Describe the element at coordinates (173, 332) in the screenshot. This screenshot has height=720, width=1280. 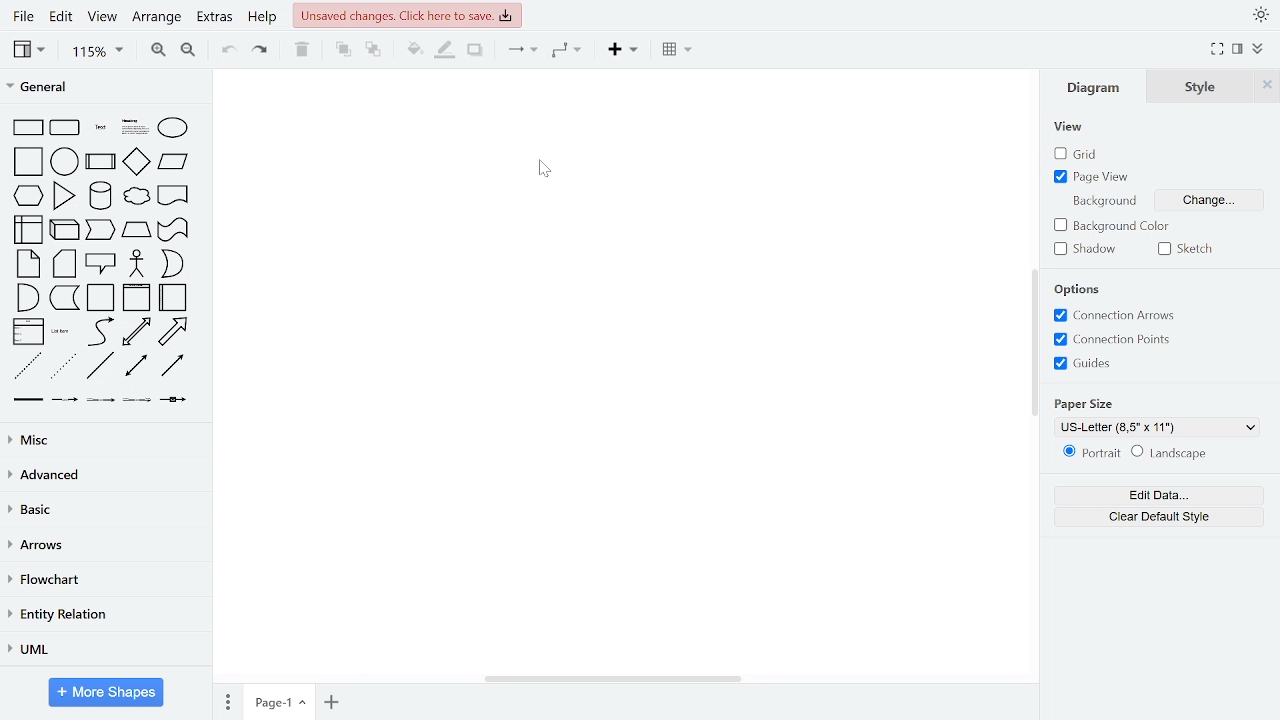
I see `arrow` at that location.